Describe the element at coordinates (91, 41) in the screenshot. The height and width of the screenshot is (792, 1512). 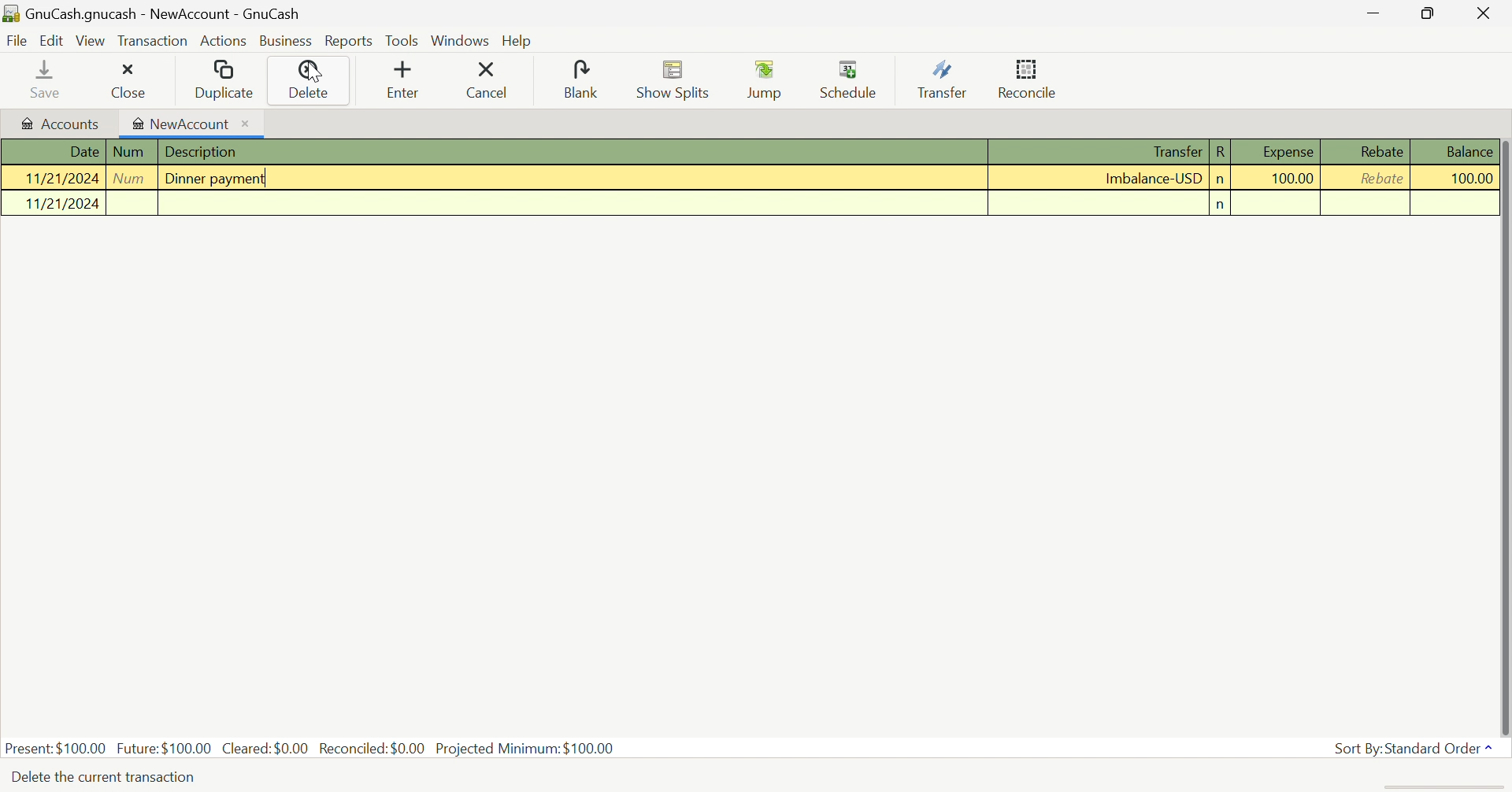
I see `View` at that location.